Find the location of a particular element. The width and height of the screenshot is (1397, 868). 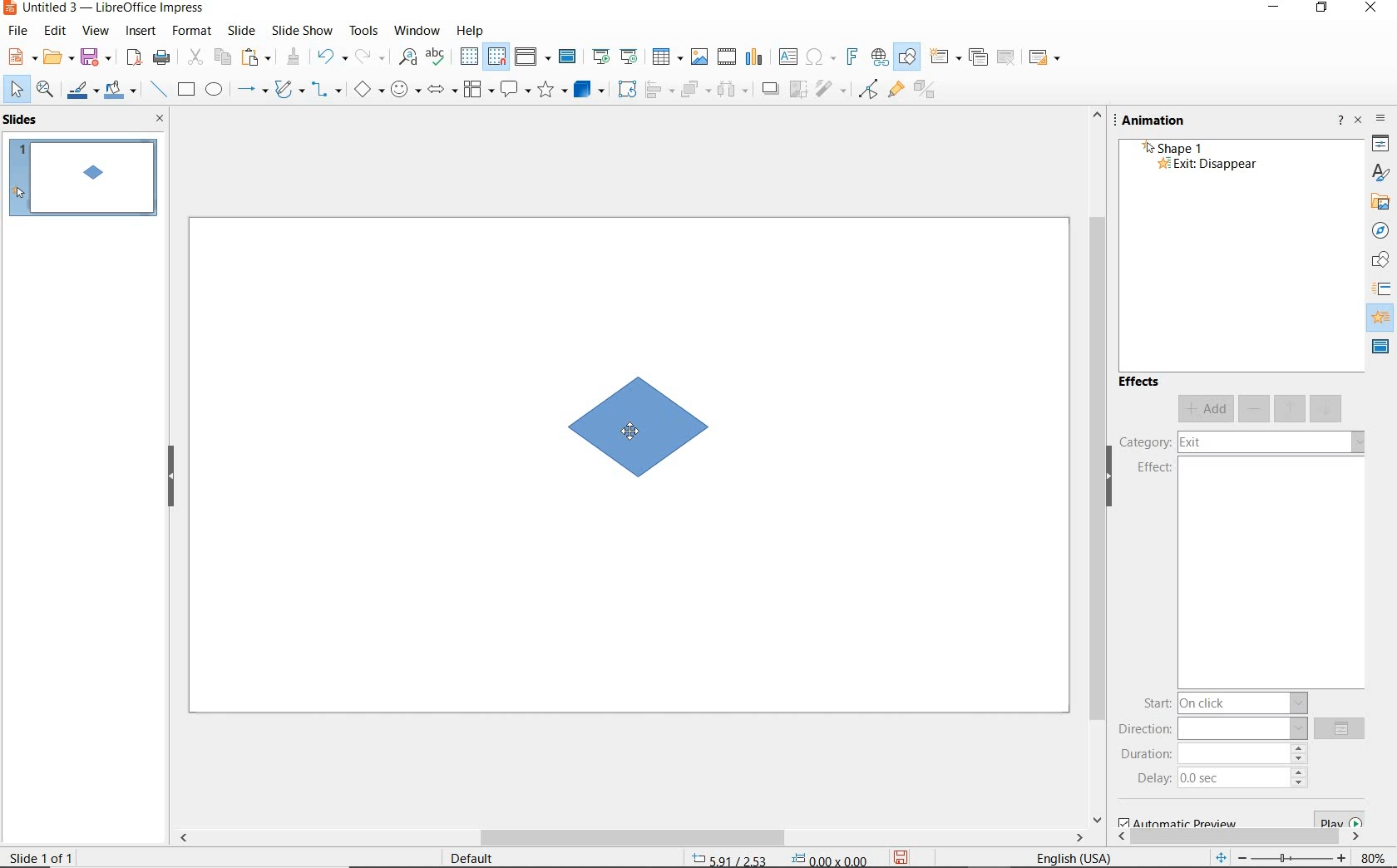

insert frontwork text is located at coordinates (852, 57).